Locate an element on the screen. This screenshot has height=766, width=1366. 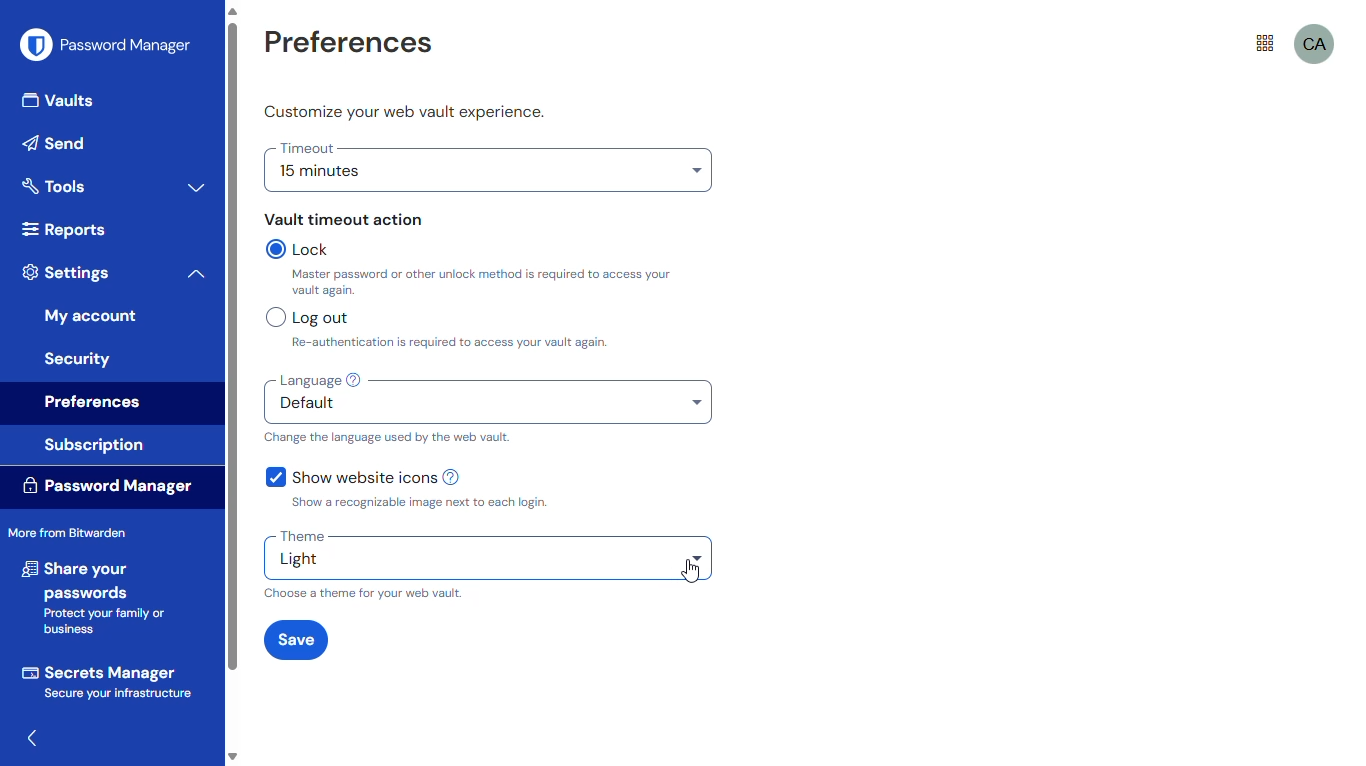
preferences is located at coordinates (347, 44).